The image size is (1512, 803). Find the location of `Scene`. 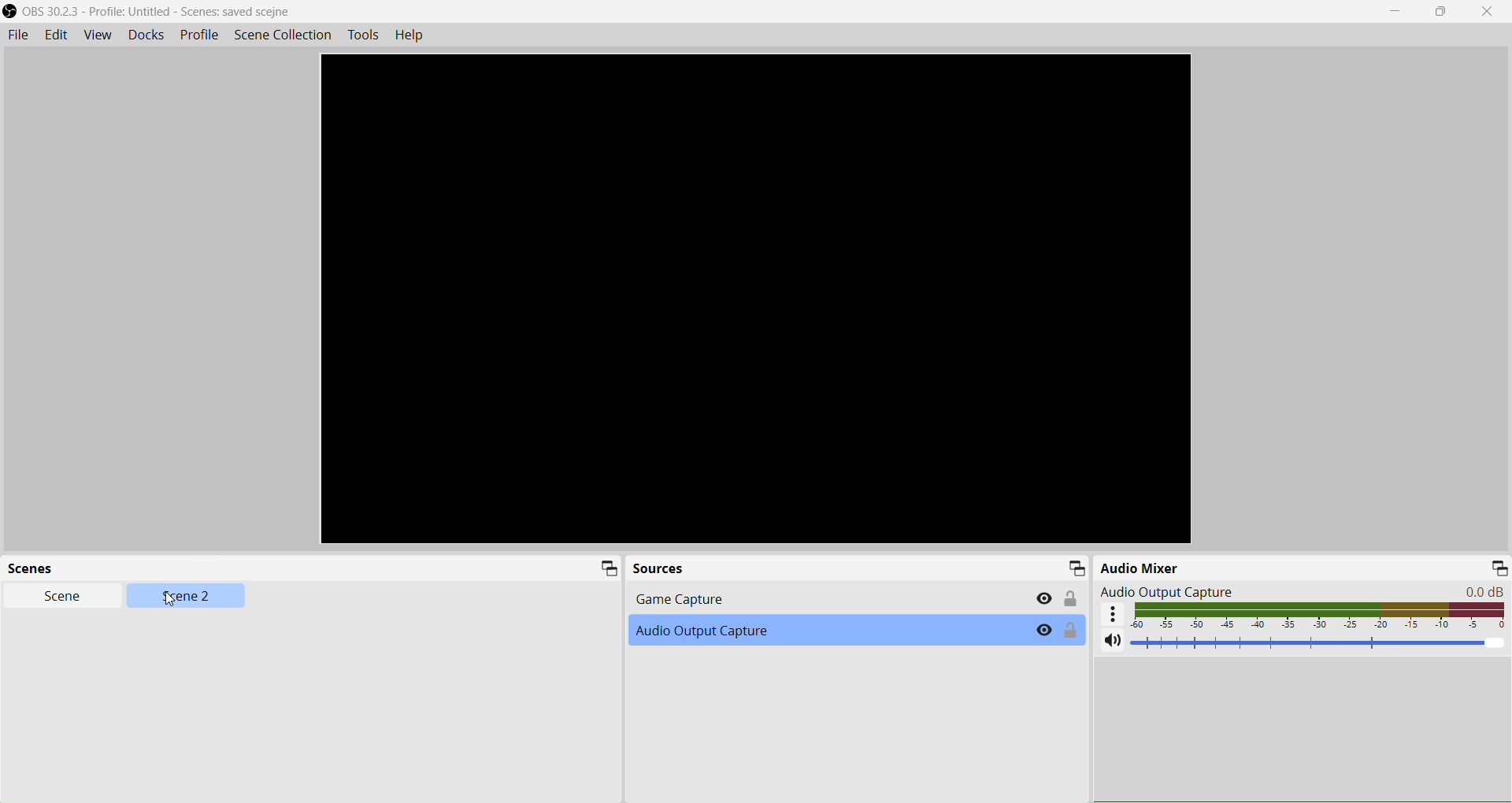

Scene is located at coordinates (36, 568).